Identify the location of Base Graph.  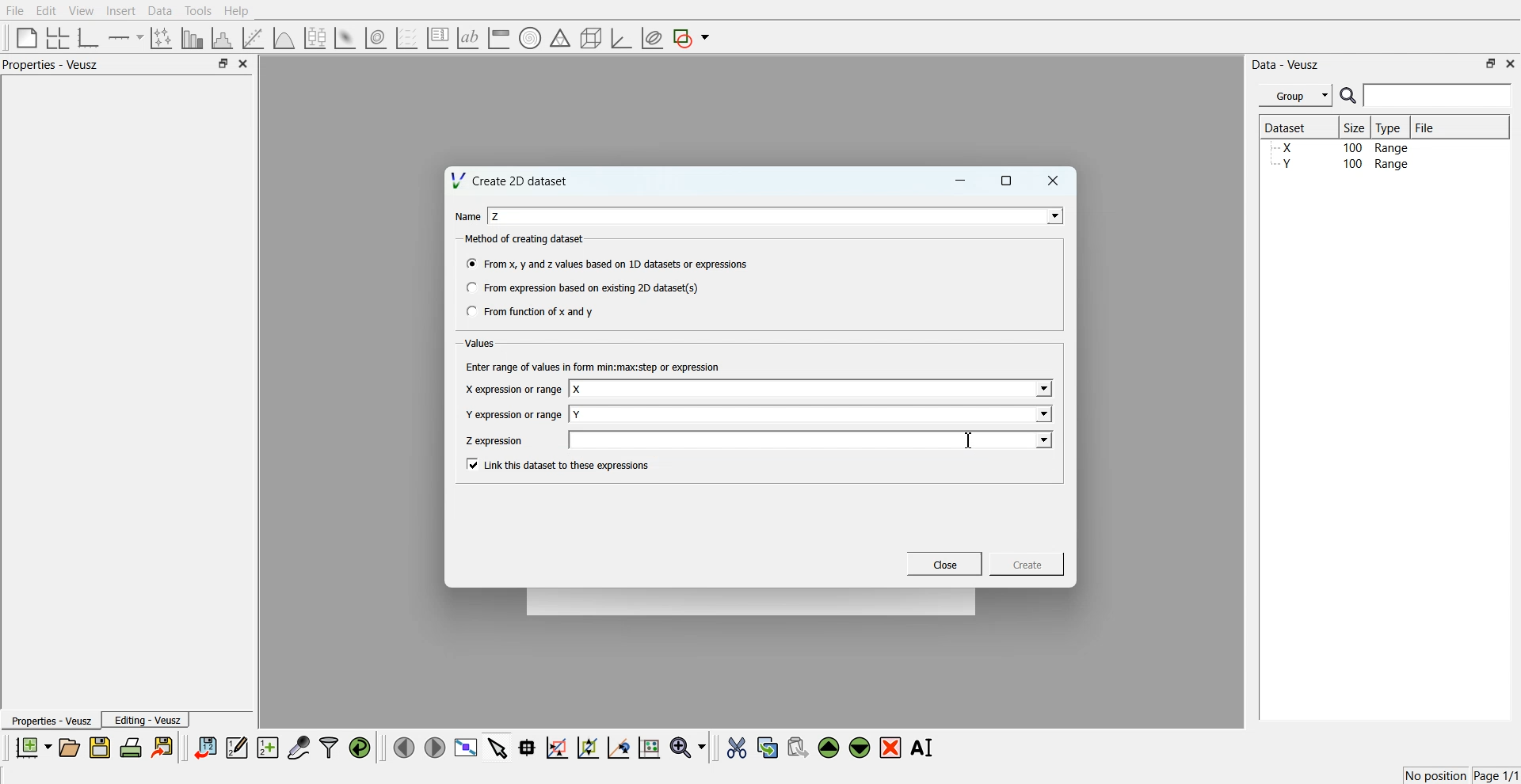
(89, 38).